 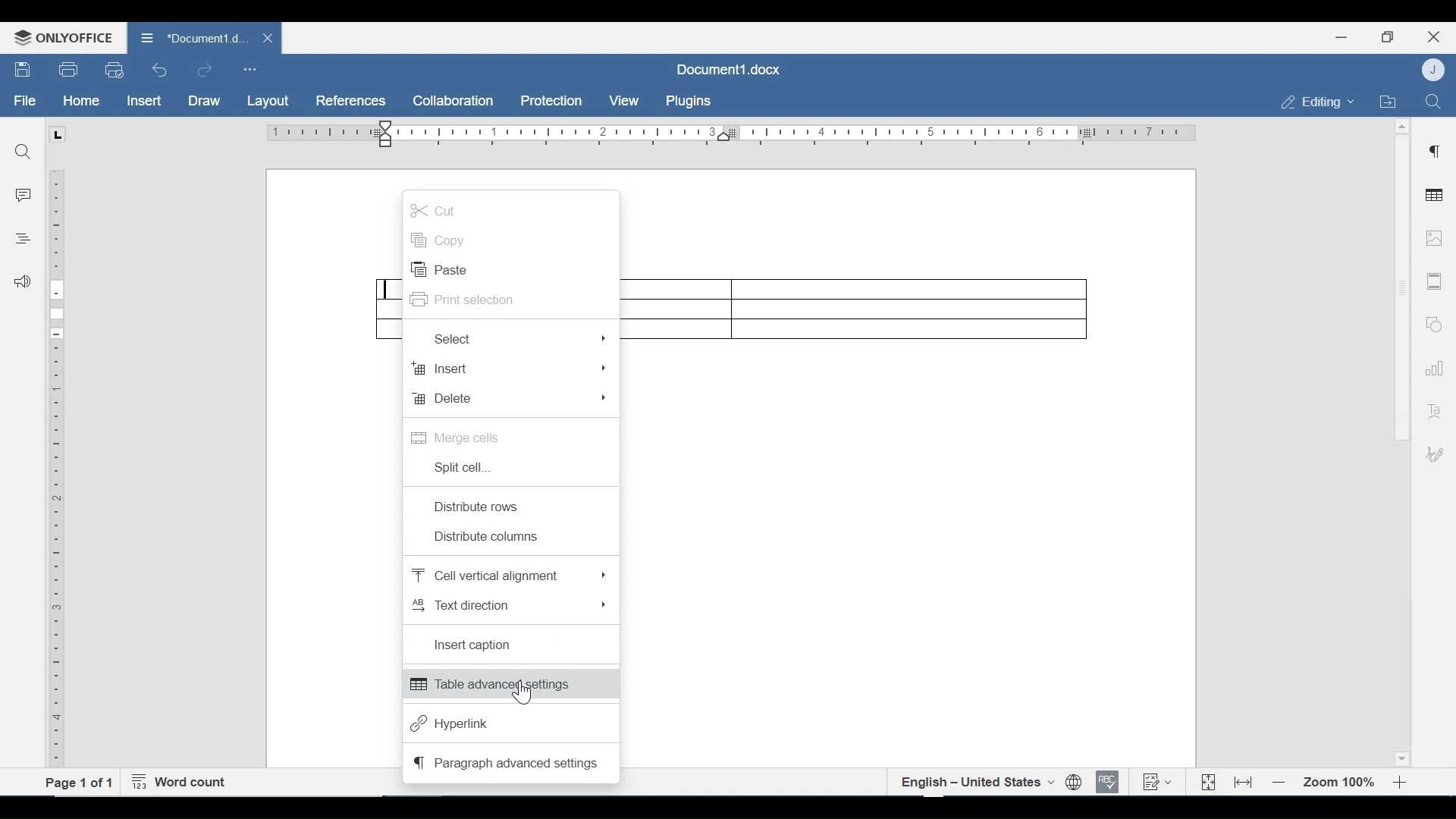 What do you see at coordinates (22, 283) in the screenshot?
I see `Feedback and Support` at bounding box center [22, 283].